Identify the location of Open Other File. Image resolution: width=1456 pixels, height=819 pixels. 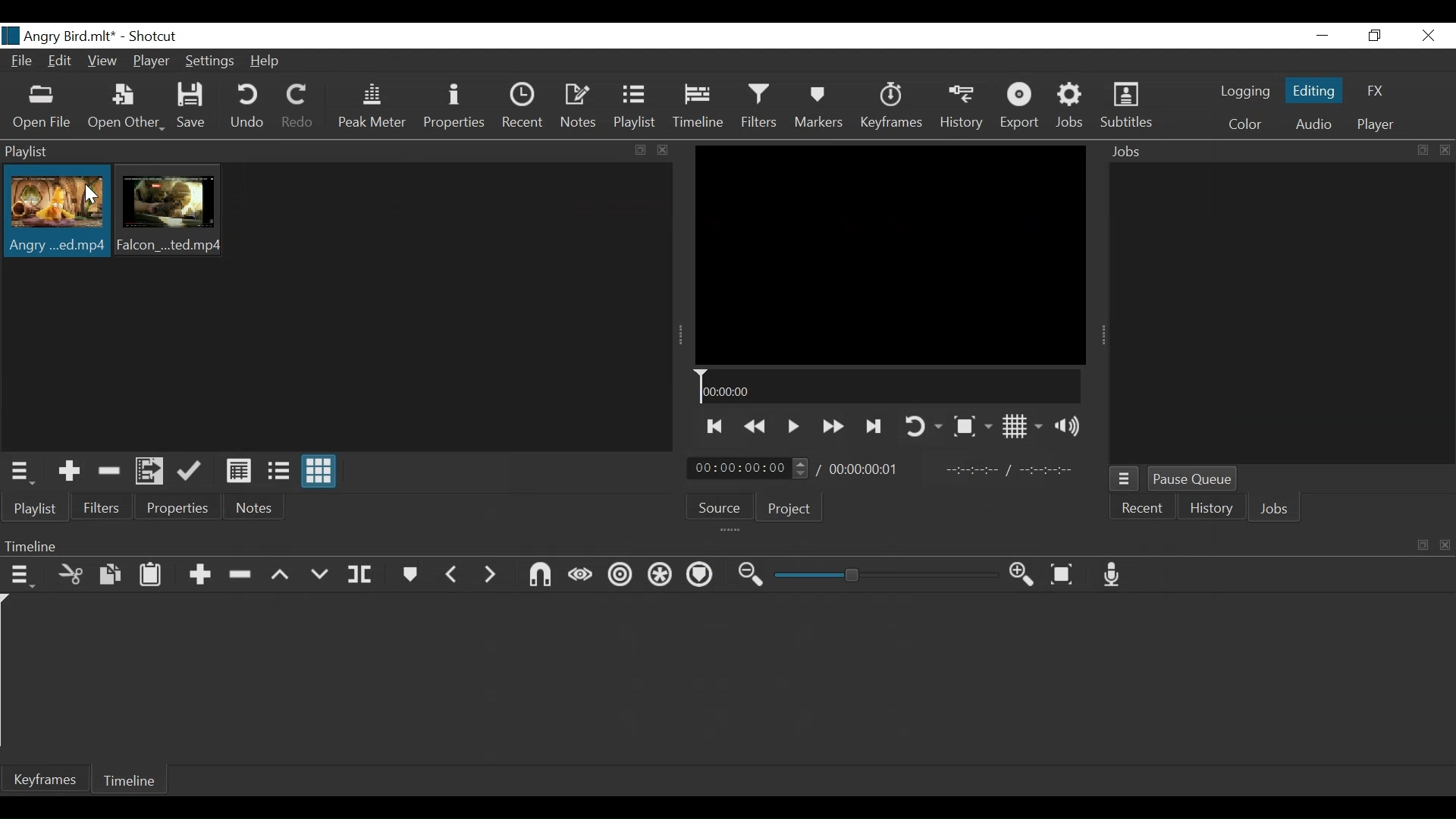
(42, 109).